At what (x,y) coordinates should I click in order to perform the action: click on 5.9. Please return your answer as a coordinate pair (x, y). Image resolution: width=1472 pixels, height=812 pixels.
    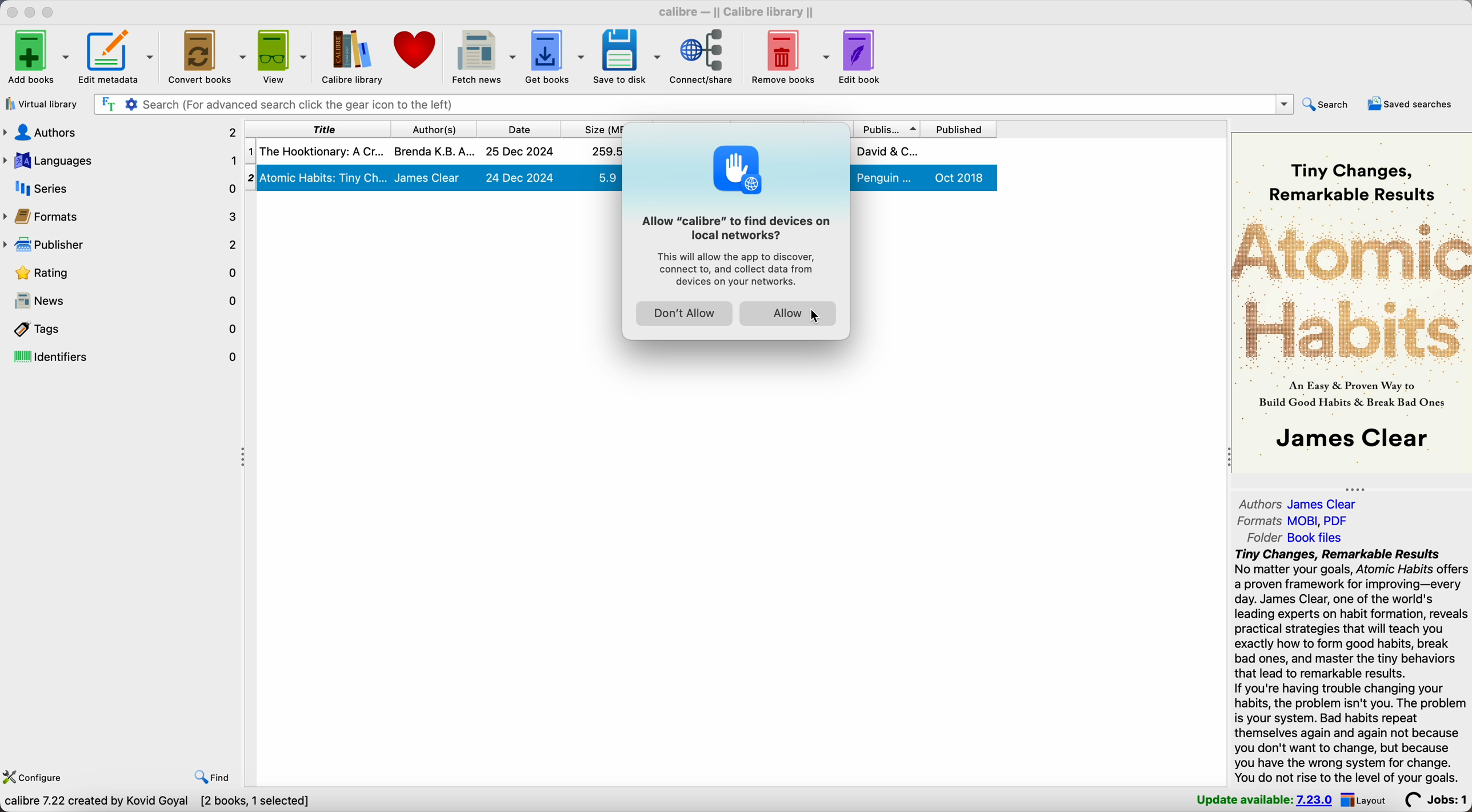
    Looking at the image, I should click on (607, 177).